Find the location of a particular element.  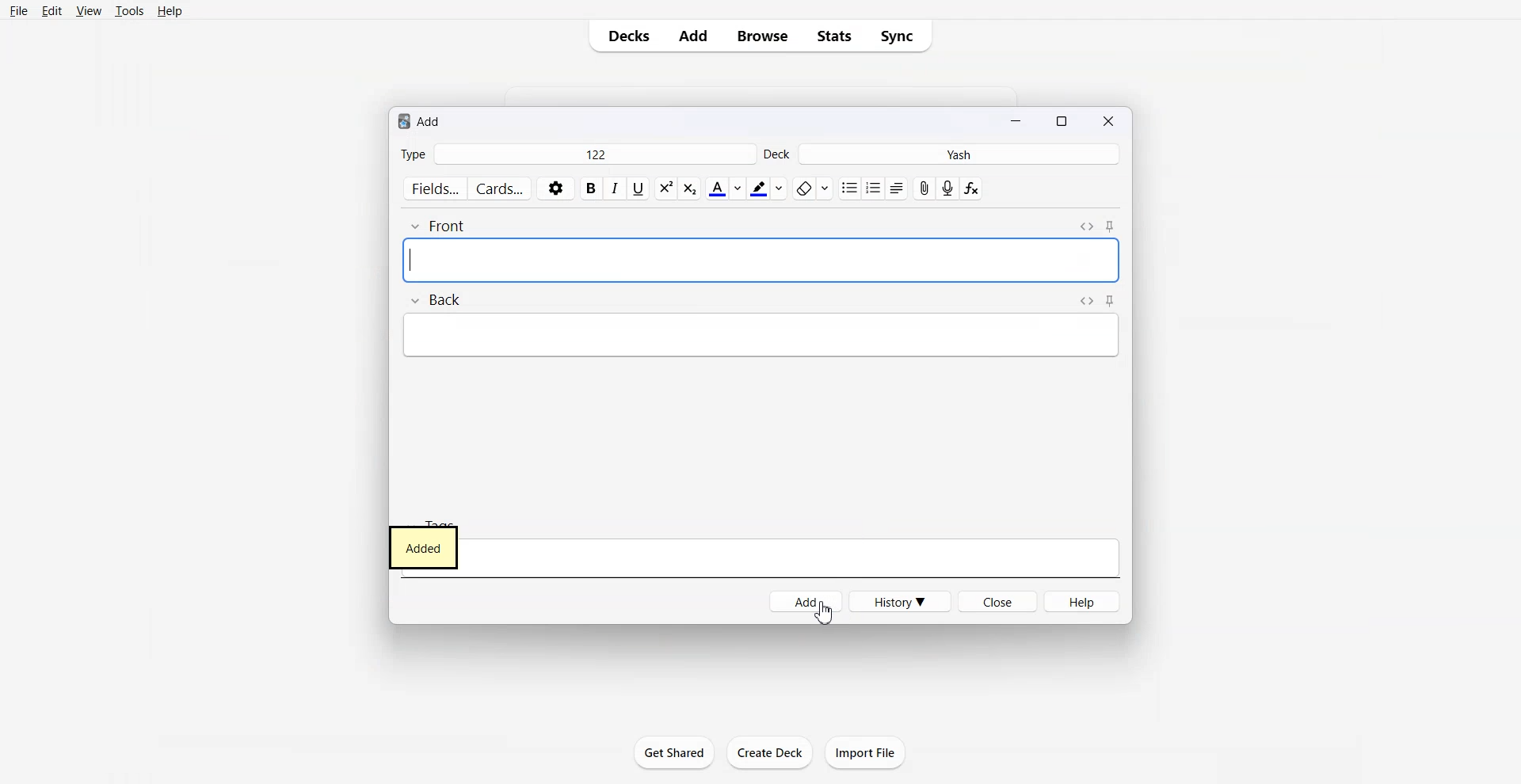

Fields is located at coordinates (433, 188).